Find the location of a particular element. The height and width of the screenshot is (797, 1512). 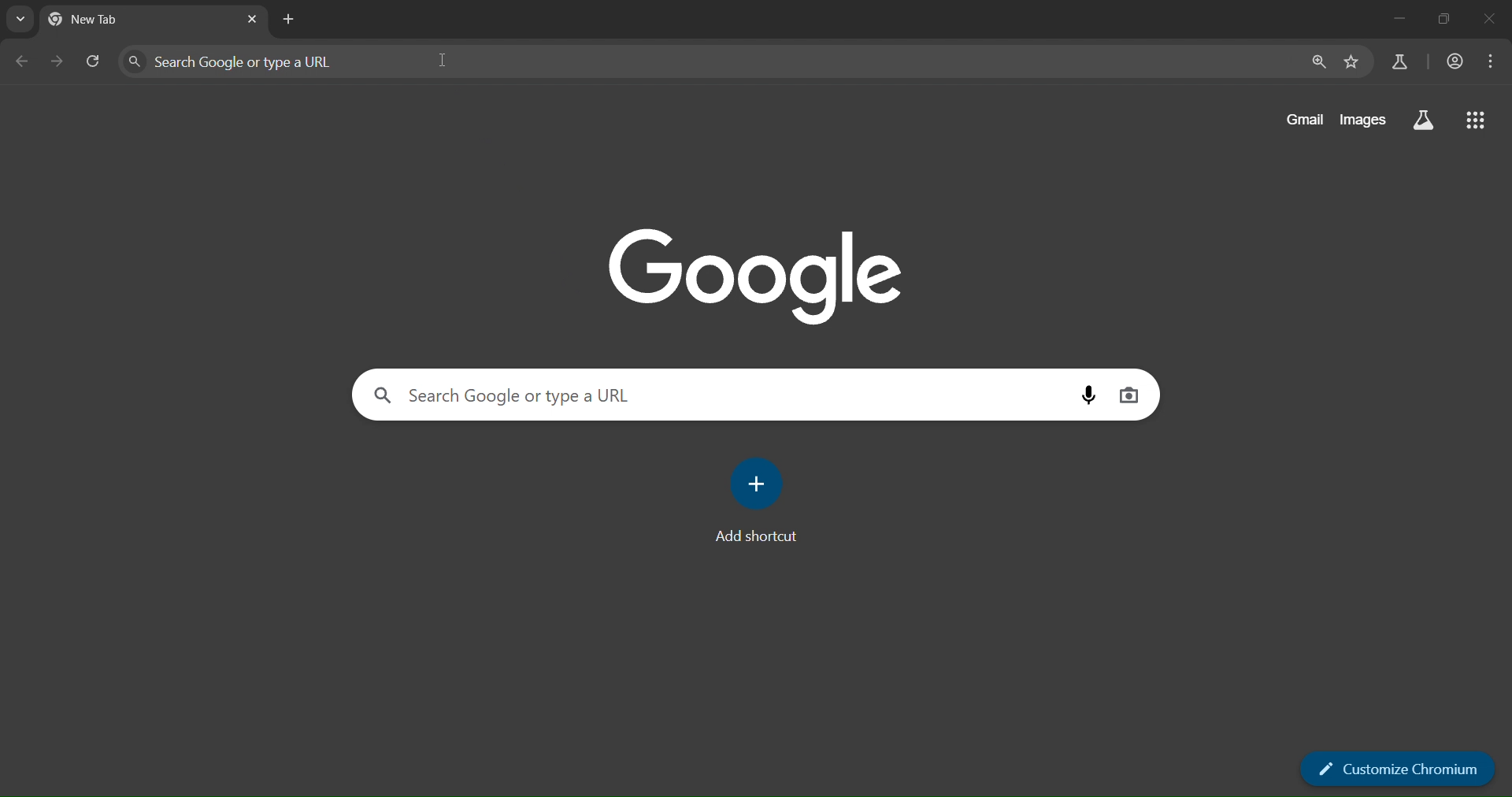

go back one page is located at coordinates (20, 61).